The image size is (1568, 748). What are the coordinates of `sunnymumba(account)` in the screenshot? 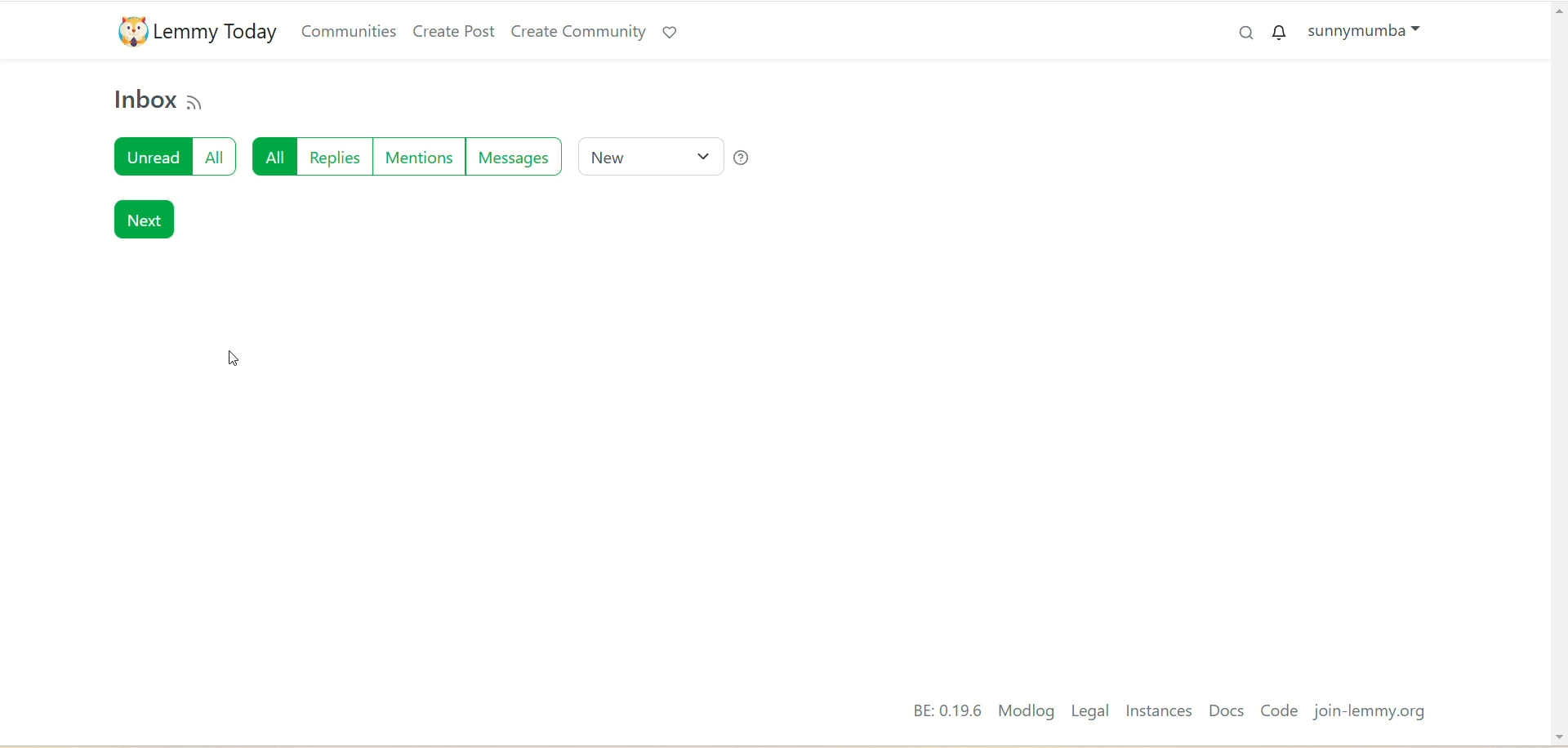 It's located at (1369, 33).